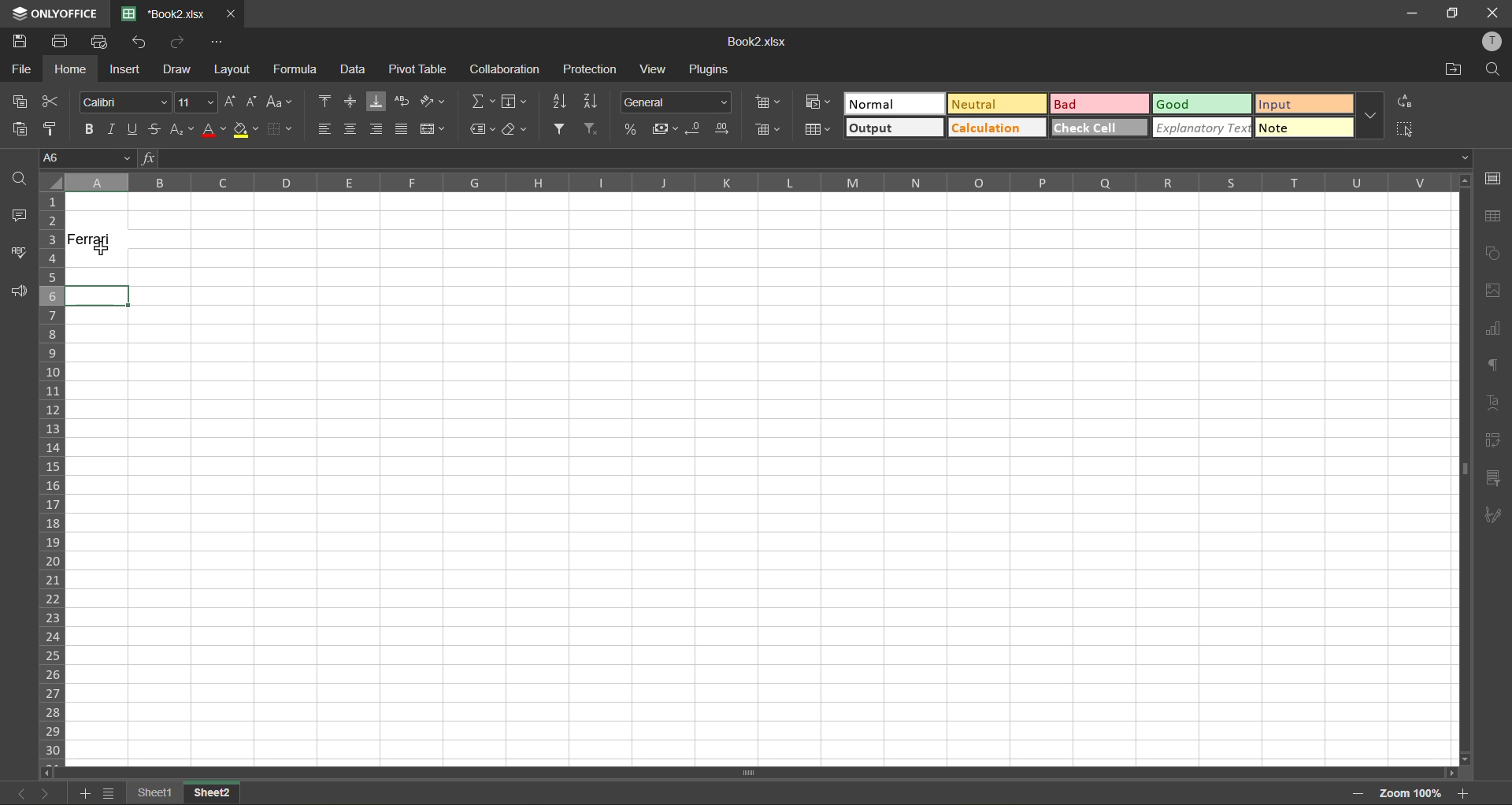  Describe the element at coordinates (1413, 12) in the screenshot. I see `minimize` at that location.